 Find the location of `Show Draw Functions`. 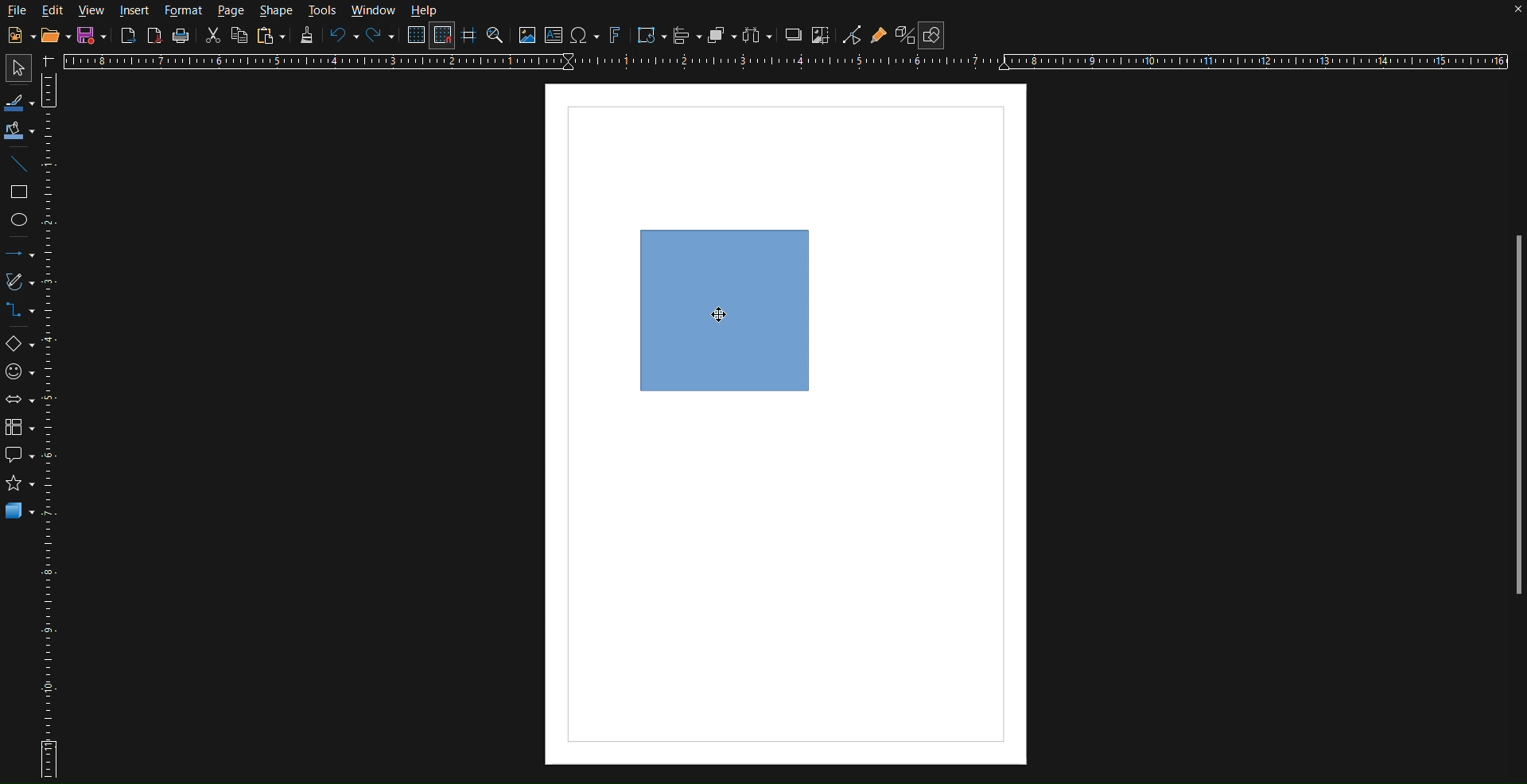

Show Draw Functions is located at coordinates (934, 32).